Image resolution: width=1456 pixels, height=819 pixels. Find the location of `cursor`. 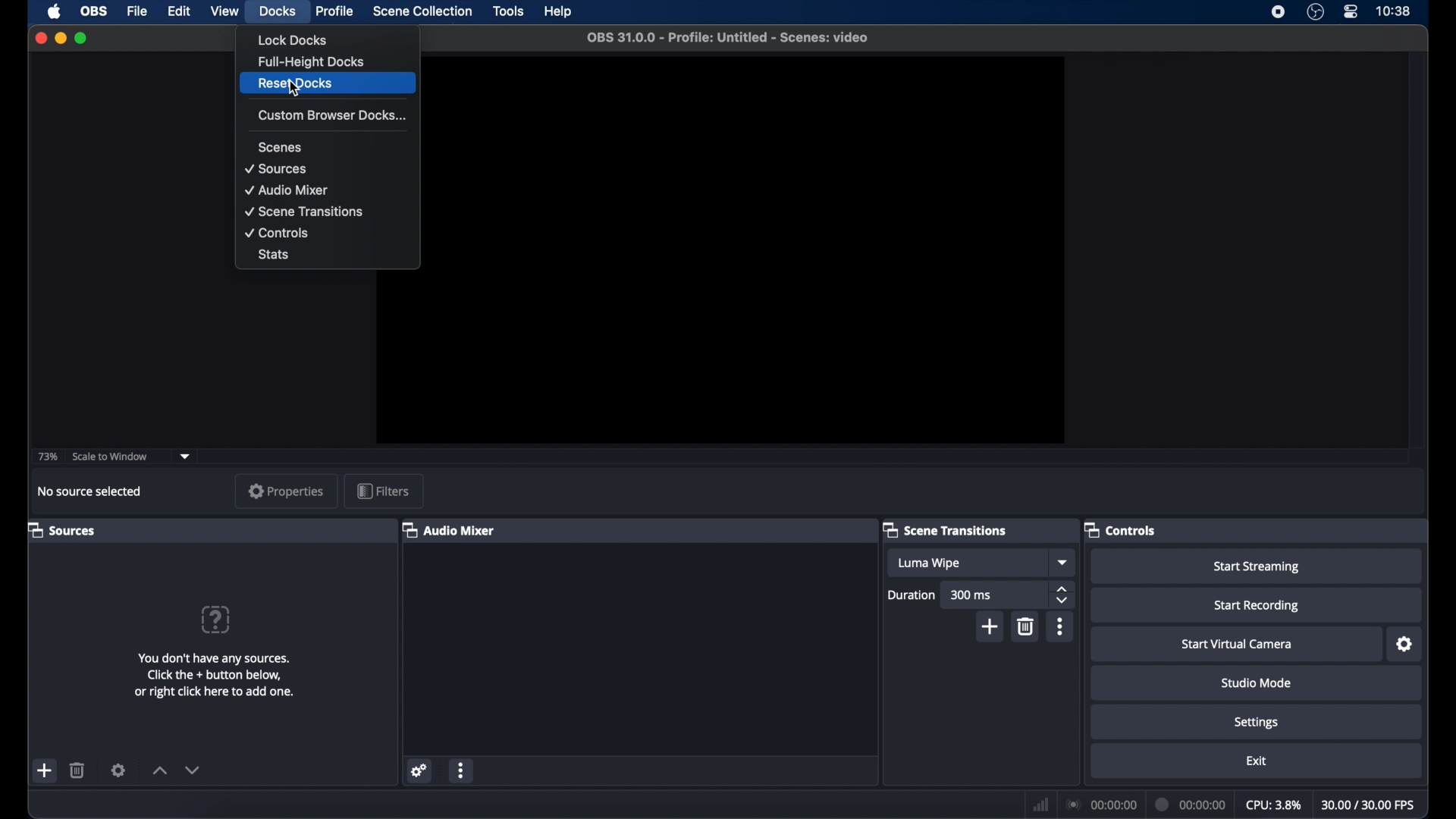

cursor is located at coordinates (292, 89).